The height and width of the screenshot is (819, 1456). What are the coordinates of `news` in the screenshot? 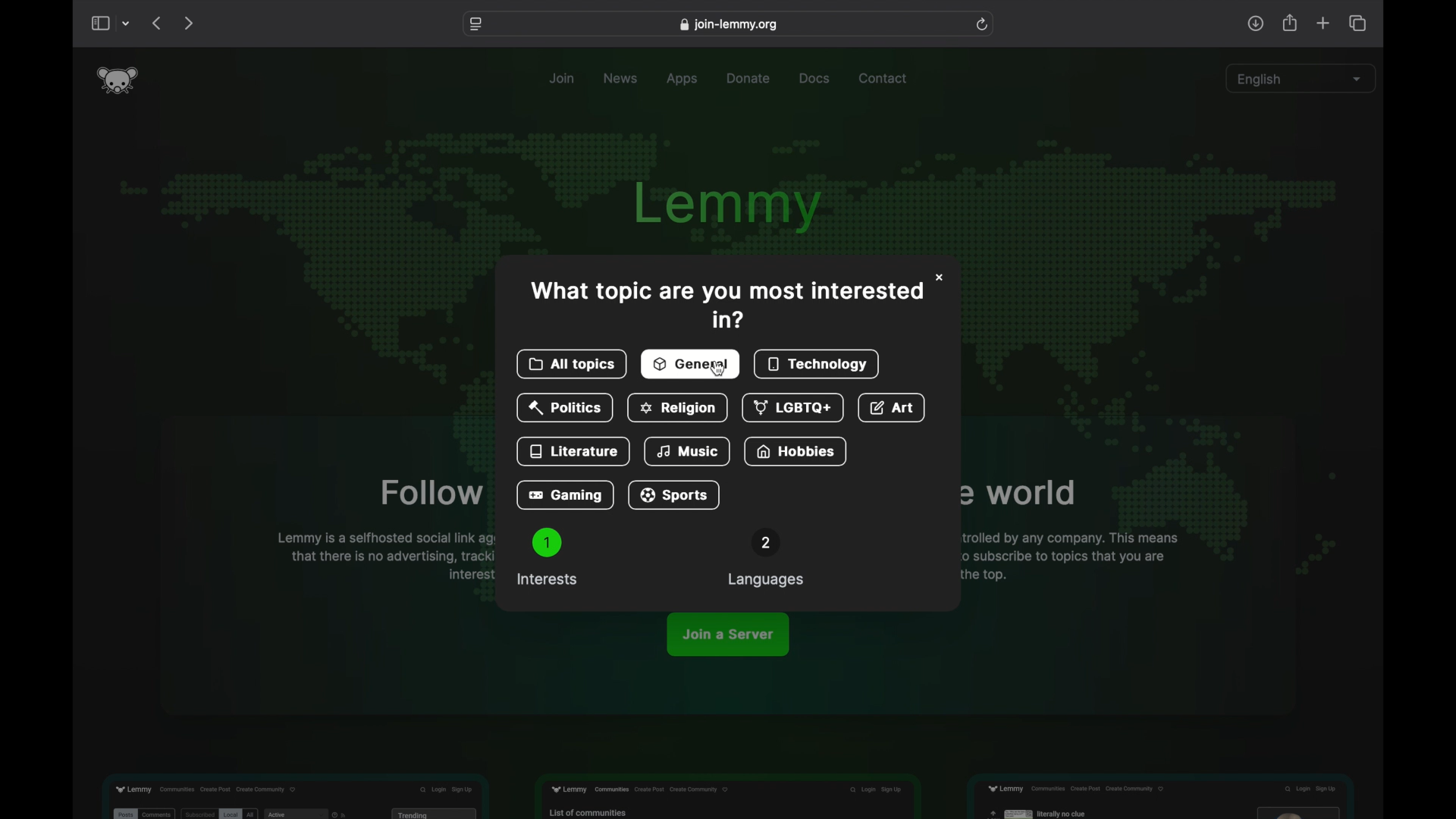 It's located at (622, 79).